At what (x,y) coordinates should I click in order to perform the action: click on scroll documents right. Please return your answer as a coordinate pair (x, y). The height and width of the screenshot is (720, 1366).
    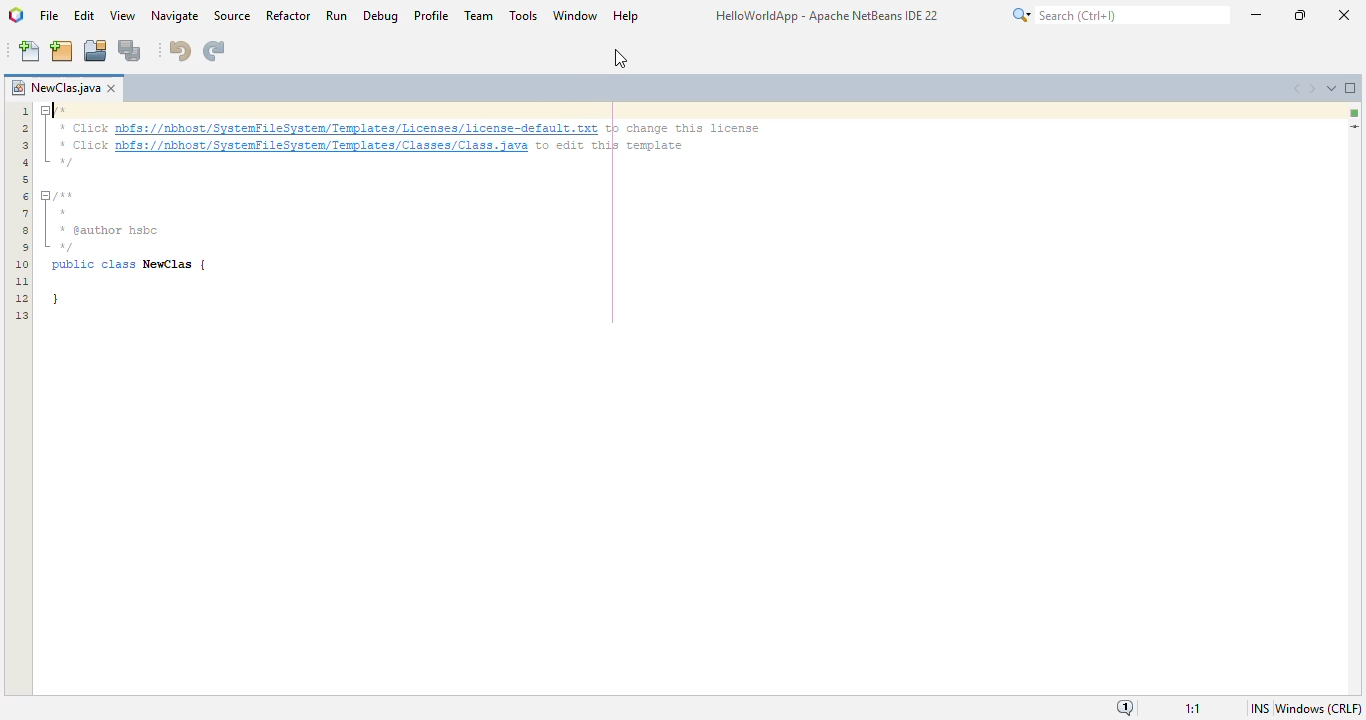
    Looking at the image, I should click on (1310, 89).